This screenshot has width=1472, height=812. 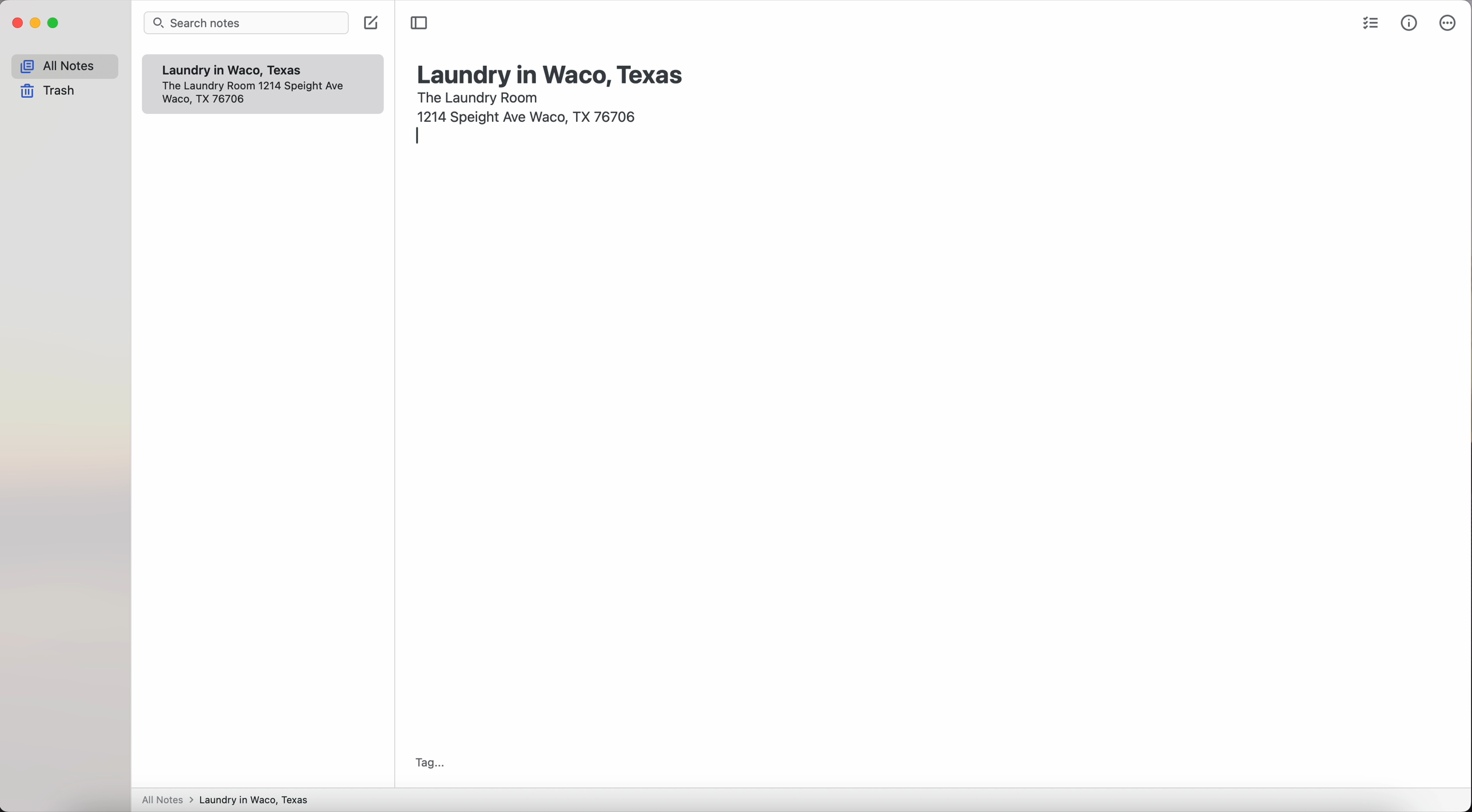 What do you see at coordinates (1410, 22) in the screenshot?
I see `metrics` at bounding box center [1410, 22].